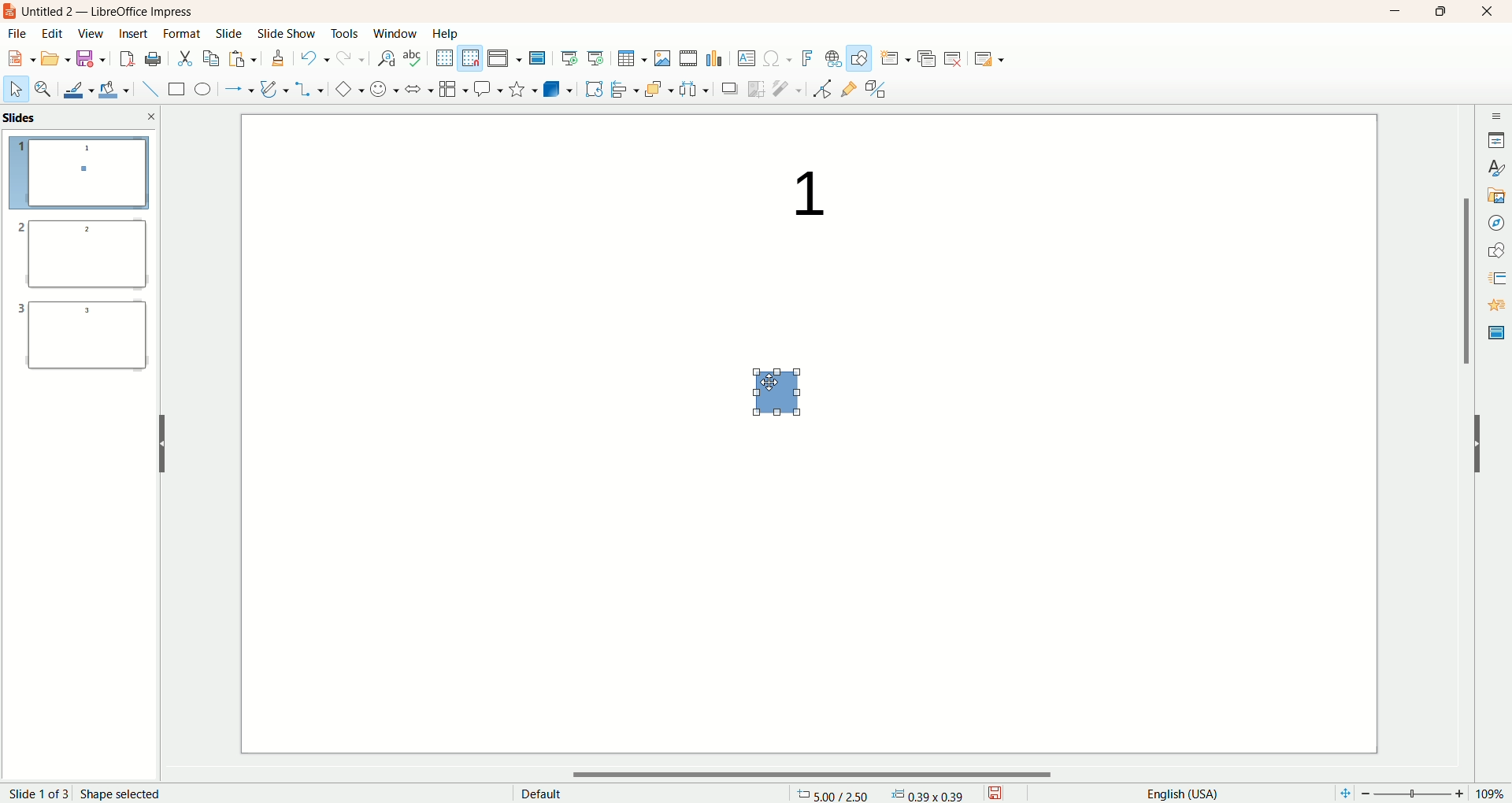 The width and height of the screenshot is (1512, 803). I want to click on anchor point, so click(935, 794).